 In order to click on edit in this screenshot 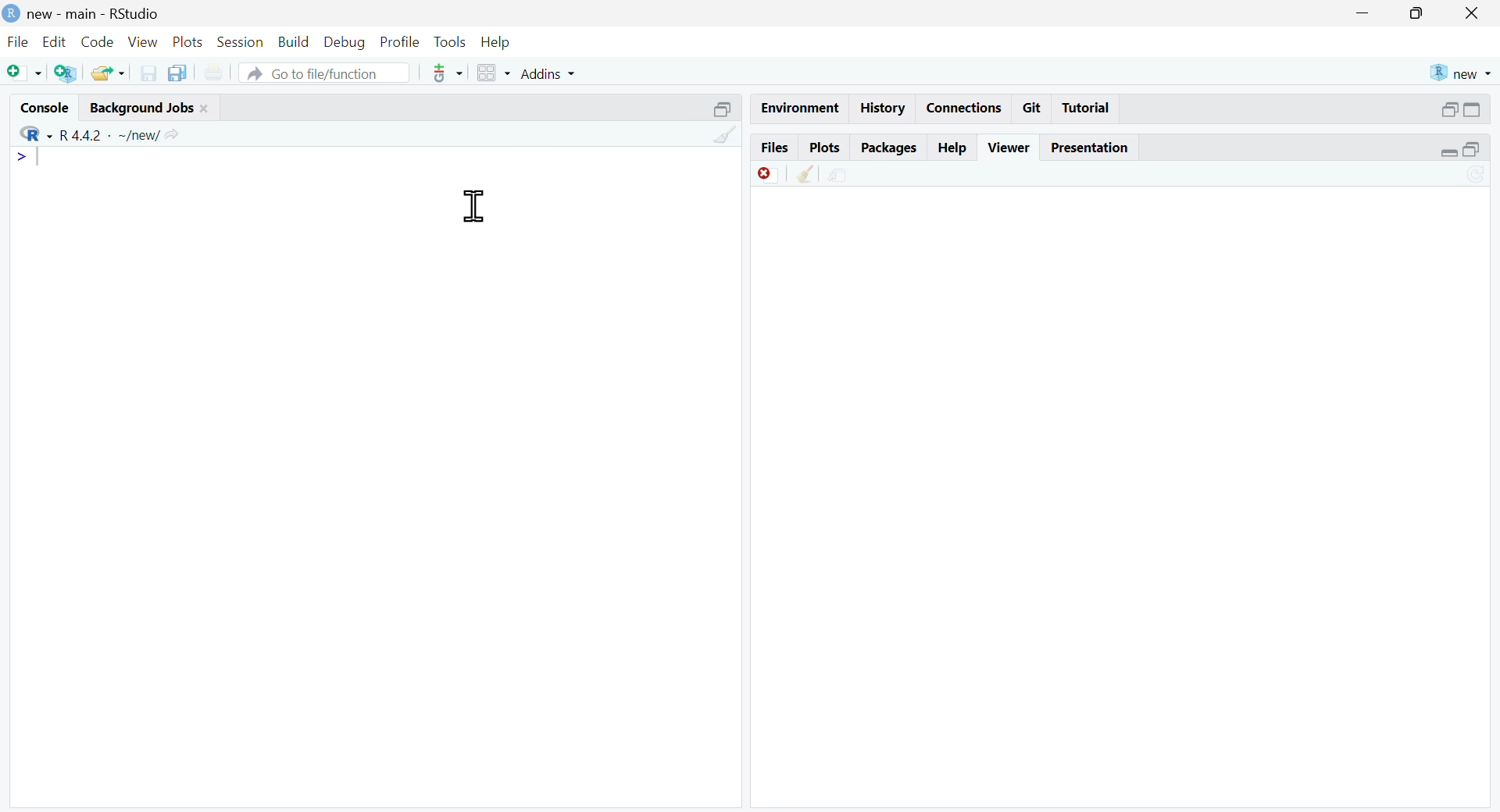, I will do `click(55, 41)`.